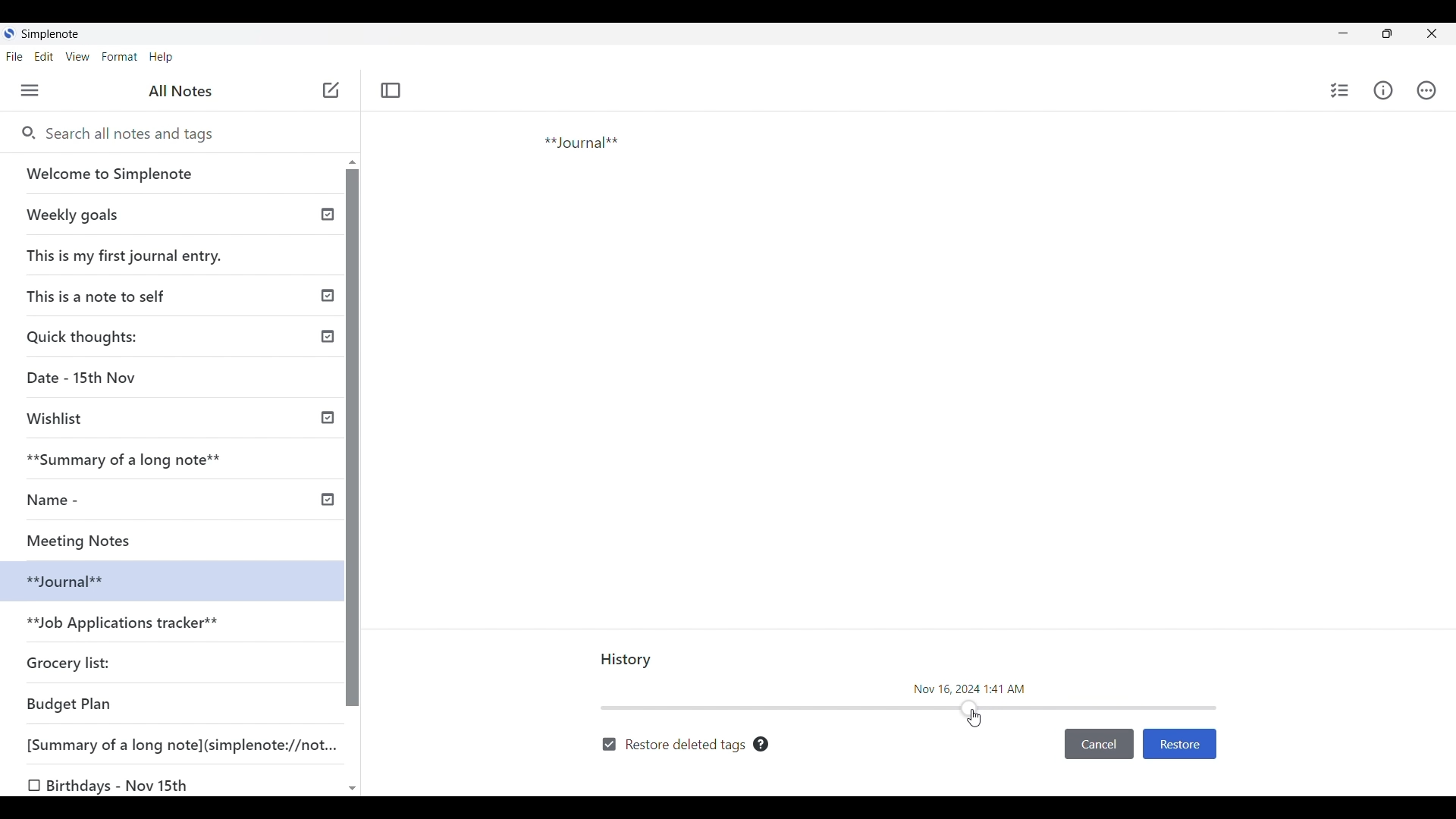 The height and width of the screenshot is (819, 1456). What do you see at coordinates (167, 579) in the screenshot?
I see `selected note` at bounding box center [167, 579].